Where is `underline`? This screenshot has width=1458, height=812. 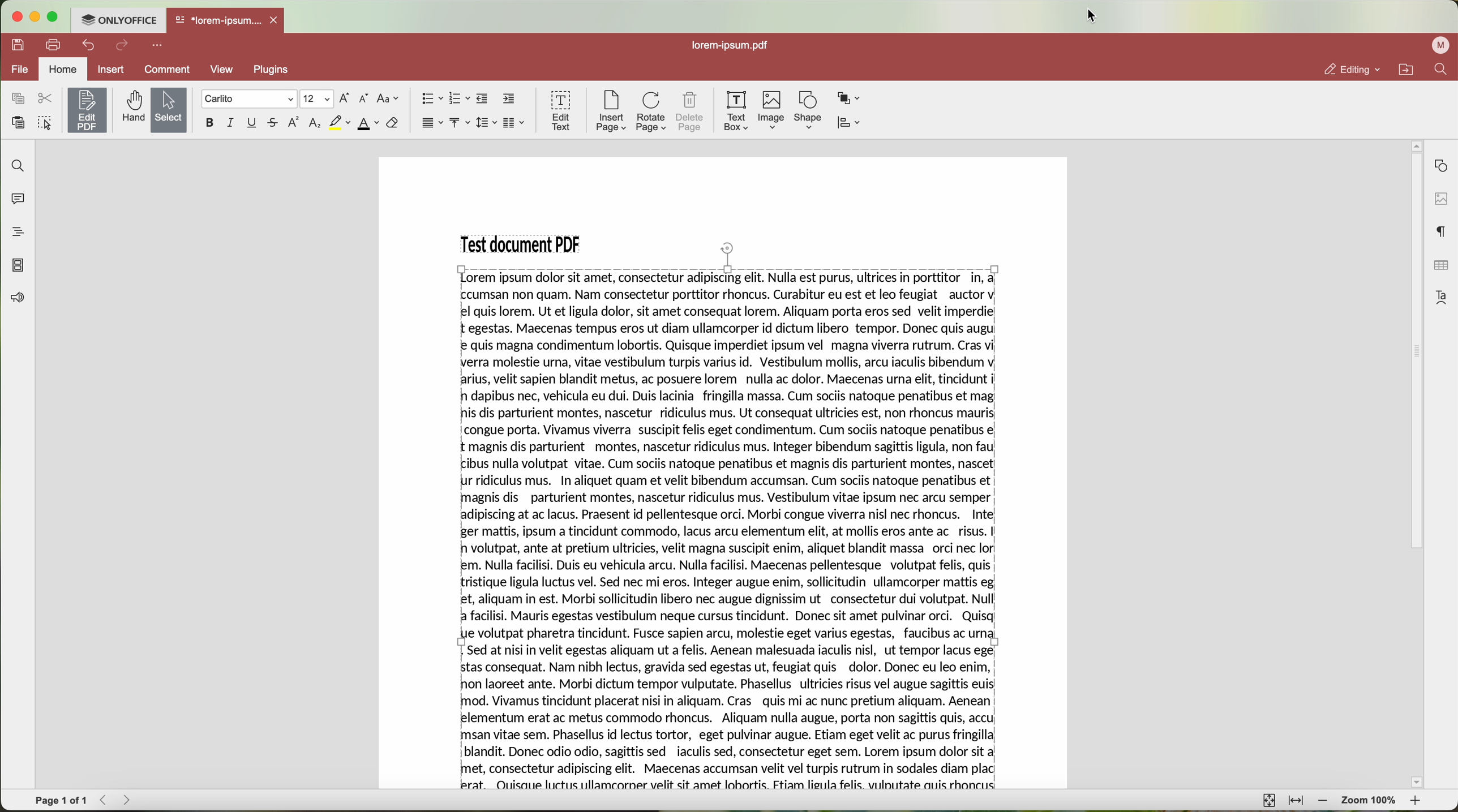 underline is located at coordinates (254, 123).